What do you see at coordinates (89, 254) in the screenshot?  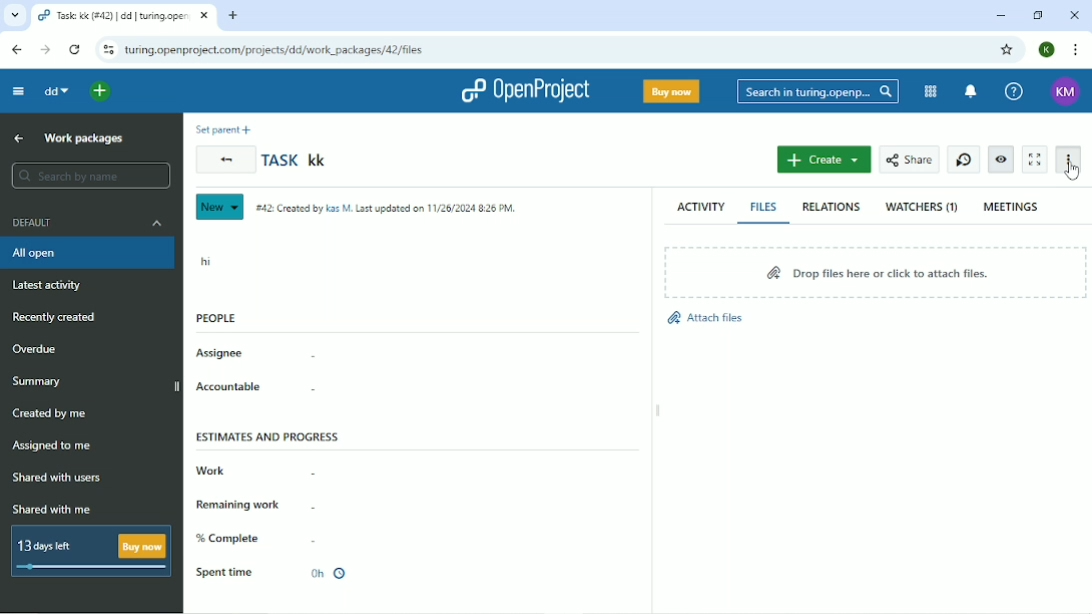 I see `All open` at bounding box center [89, 254].